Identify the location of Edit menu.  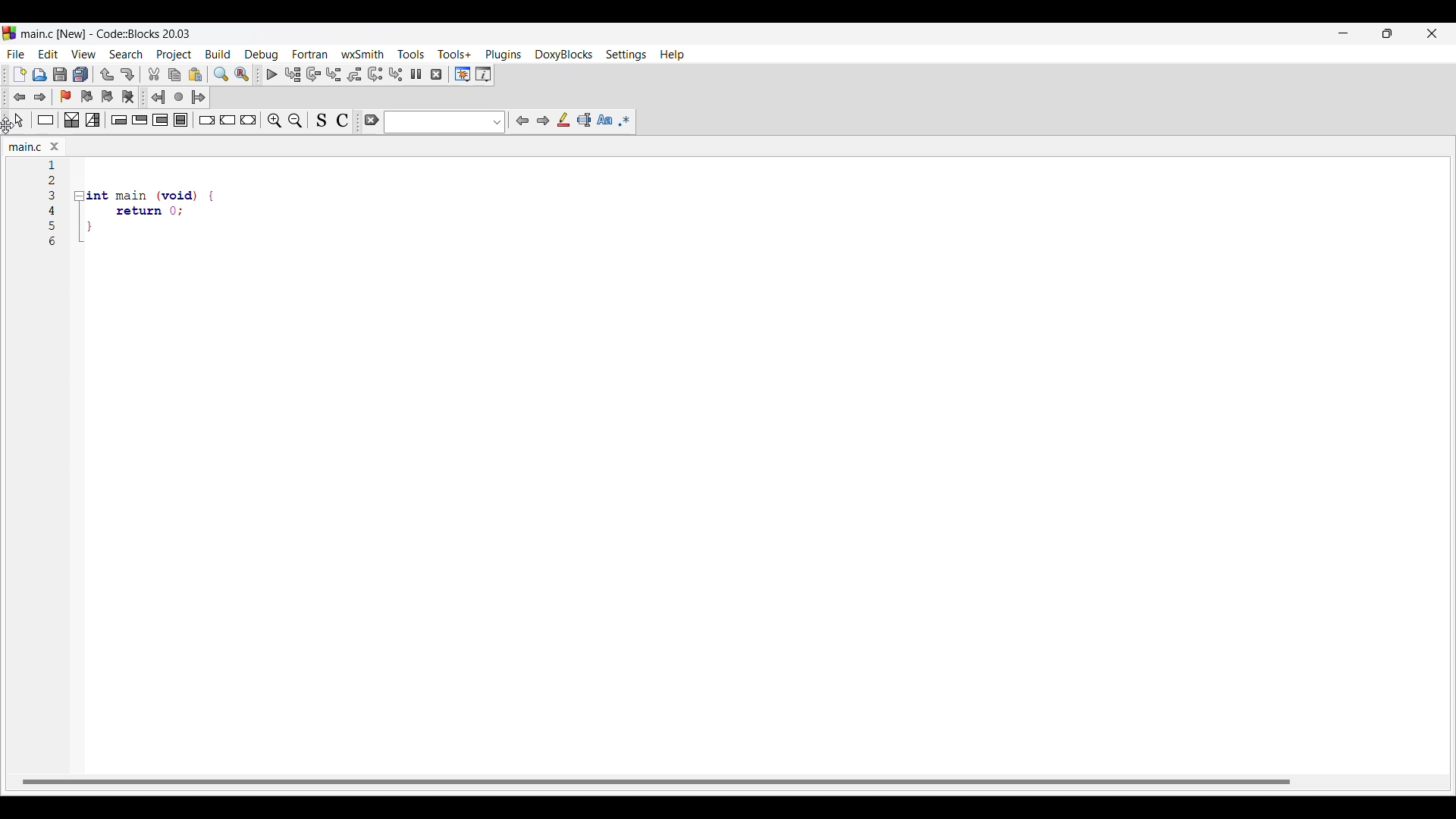
(49, 54).